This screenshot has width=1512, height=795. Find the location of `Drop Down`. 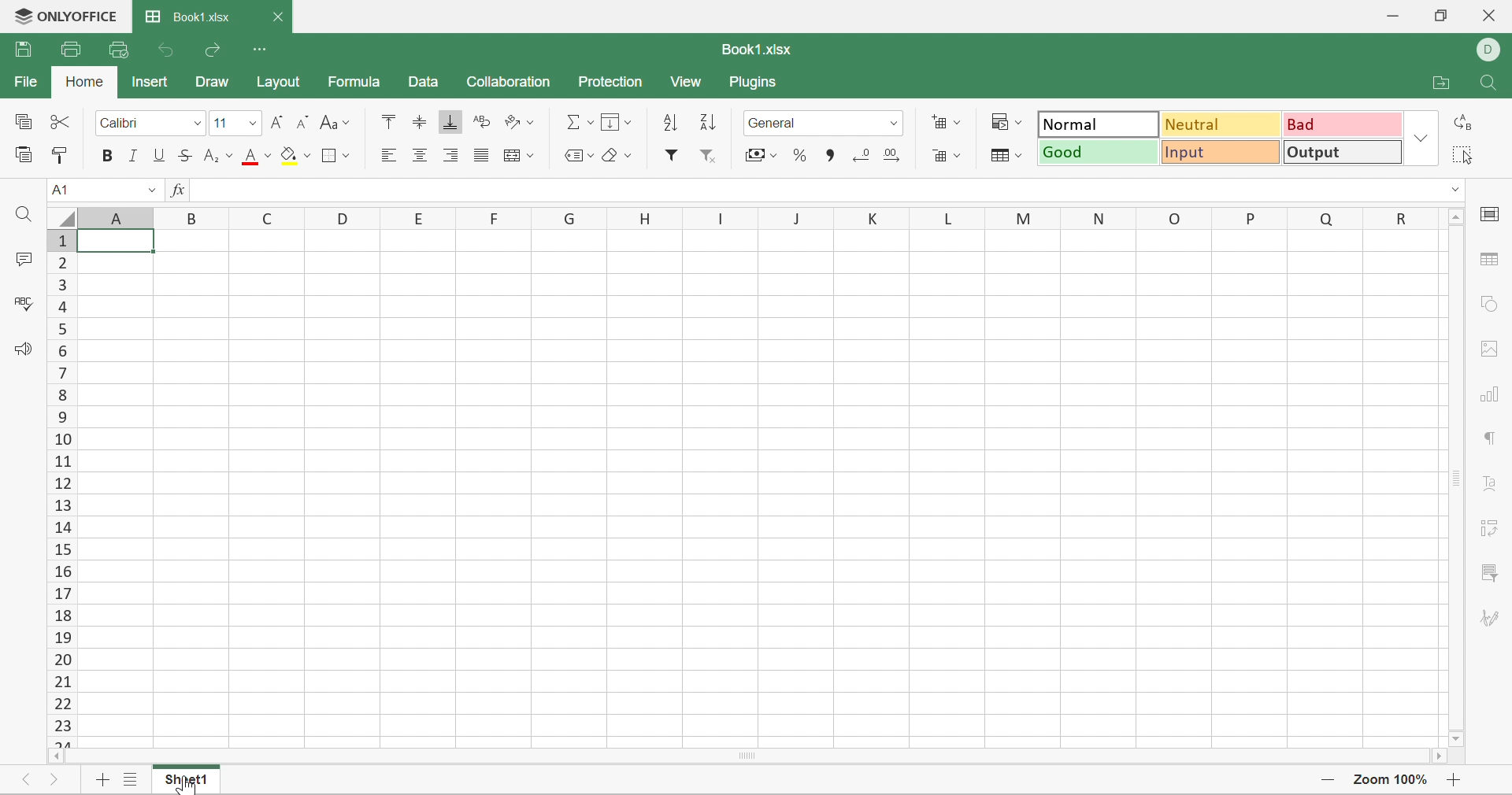

Drop Down is located at coordinates (143, 189).